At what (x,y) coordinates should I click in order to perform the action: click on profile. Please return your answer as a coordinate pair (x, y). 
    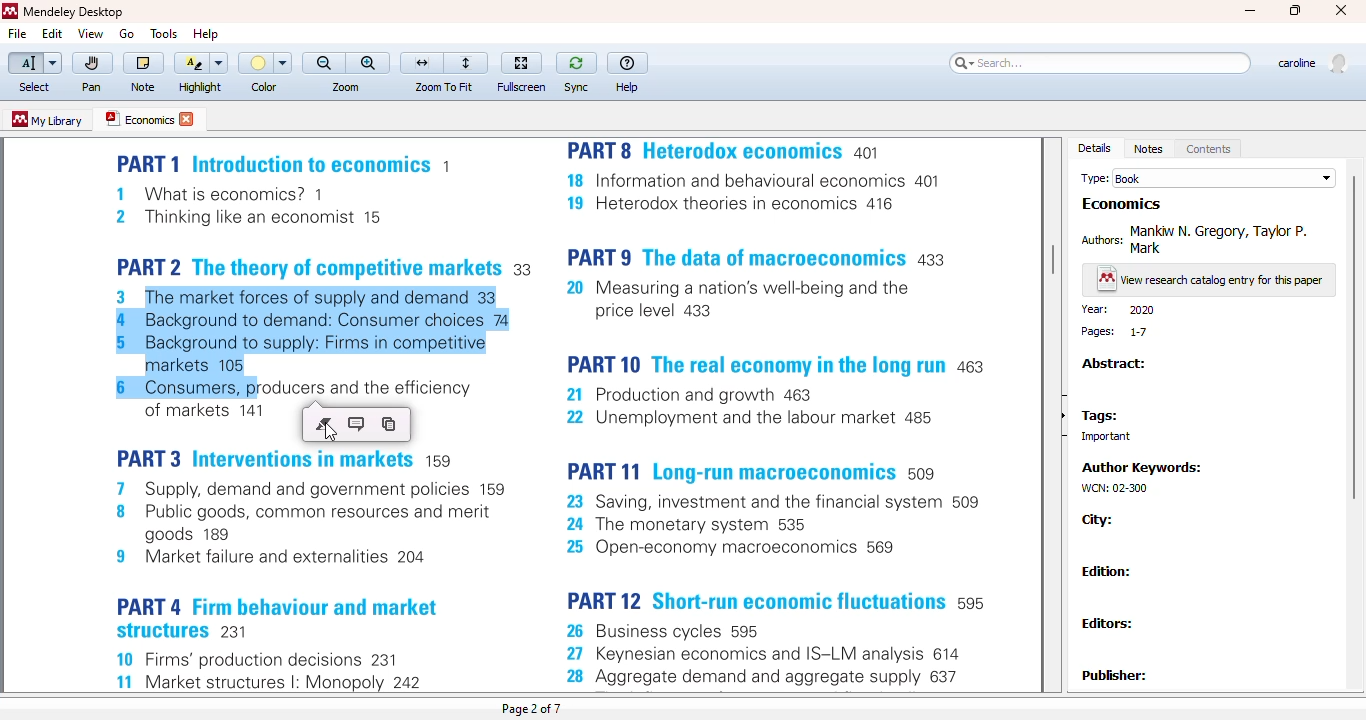
    Looking at the image, I should click on (1311, 64).